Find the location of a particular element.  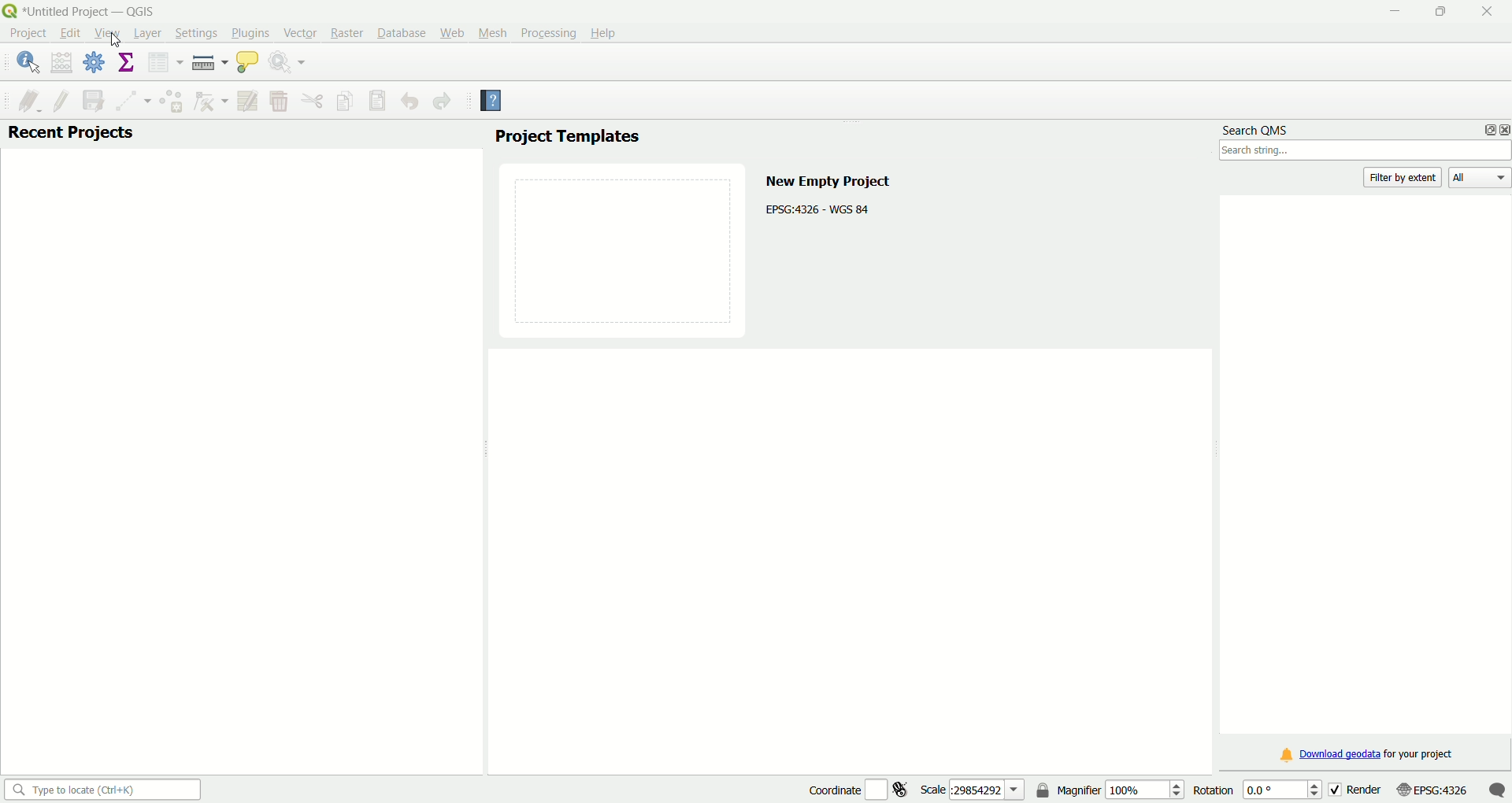

Raster is located at coordinates (346, 33).